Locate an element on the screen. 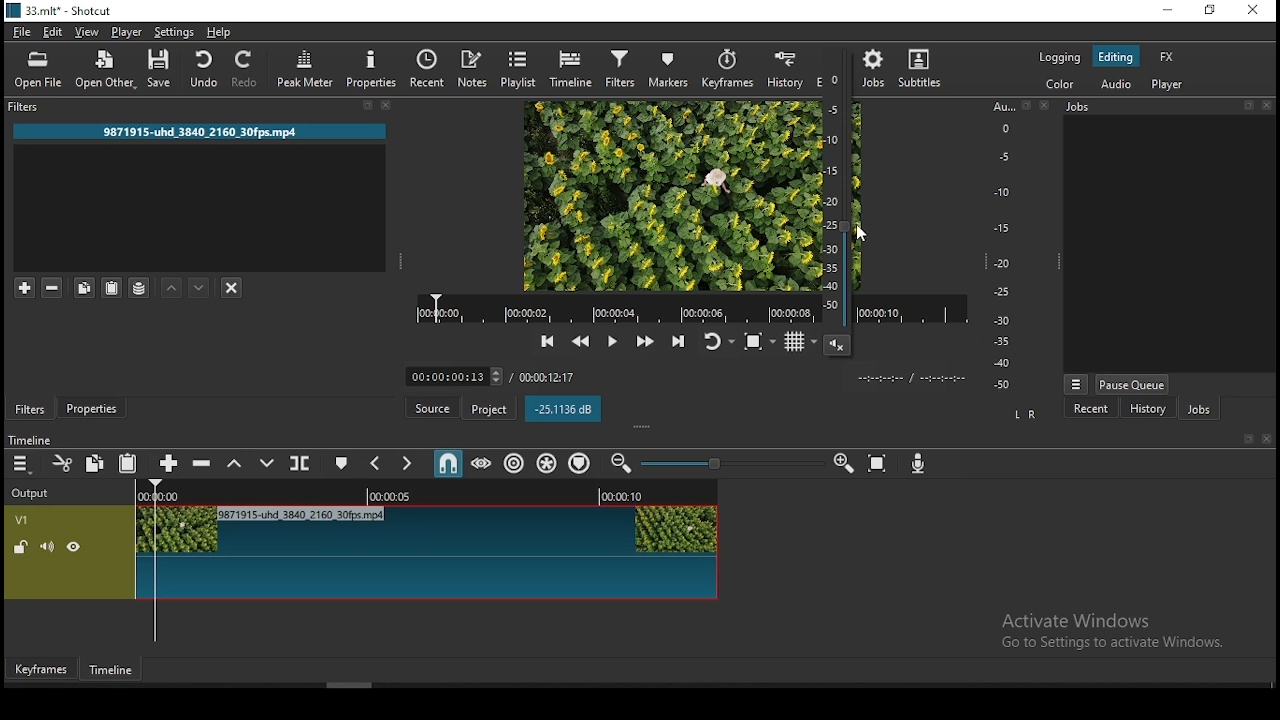 The height and width of the screenshot is (720, 1280). edit is located at coordinates (56, 31).